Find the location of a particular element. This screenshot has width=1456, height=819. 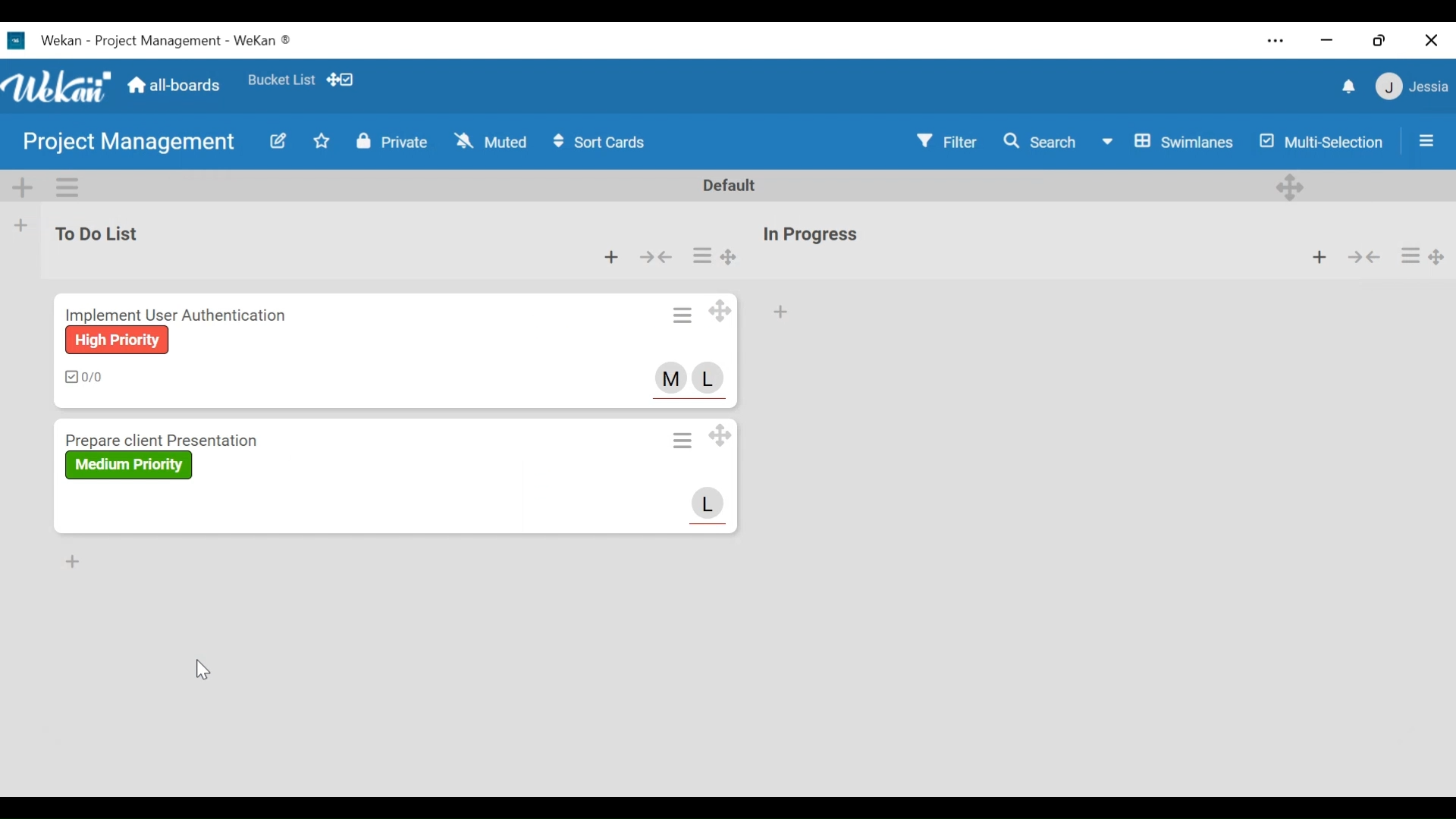

checklist is located at coordinates (83, 375).